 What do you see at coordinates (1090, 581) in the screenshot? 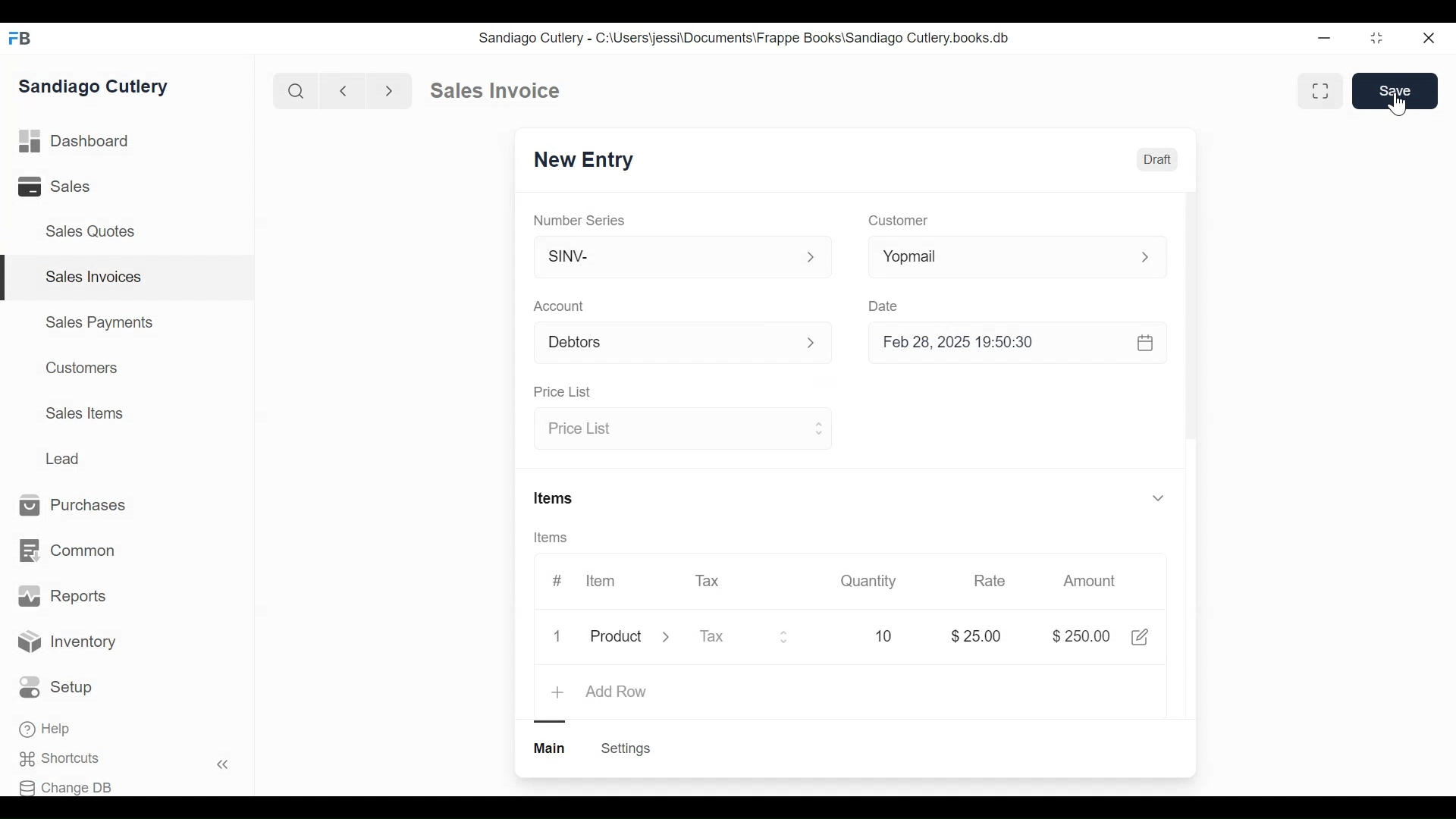
I see `Amount` at bounding box center [1090, 581].